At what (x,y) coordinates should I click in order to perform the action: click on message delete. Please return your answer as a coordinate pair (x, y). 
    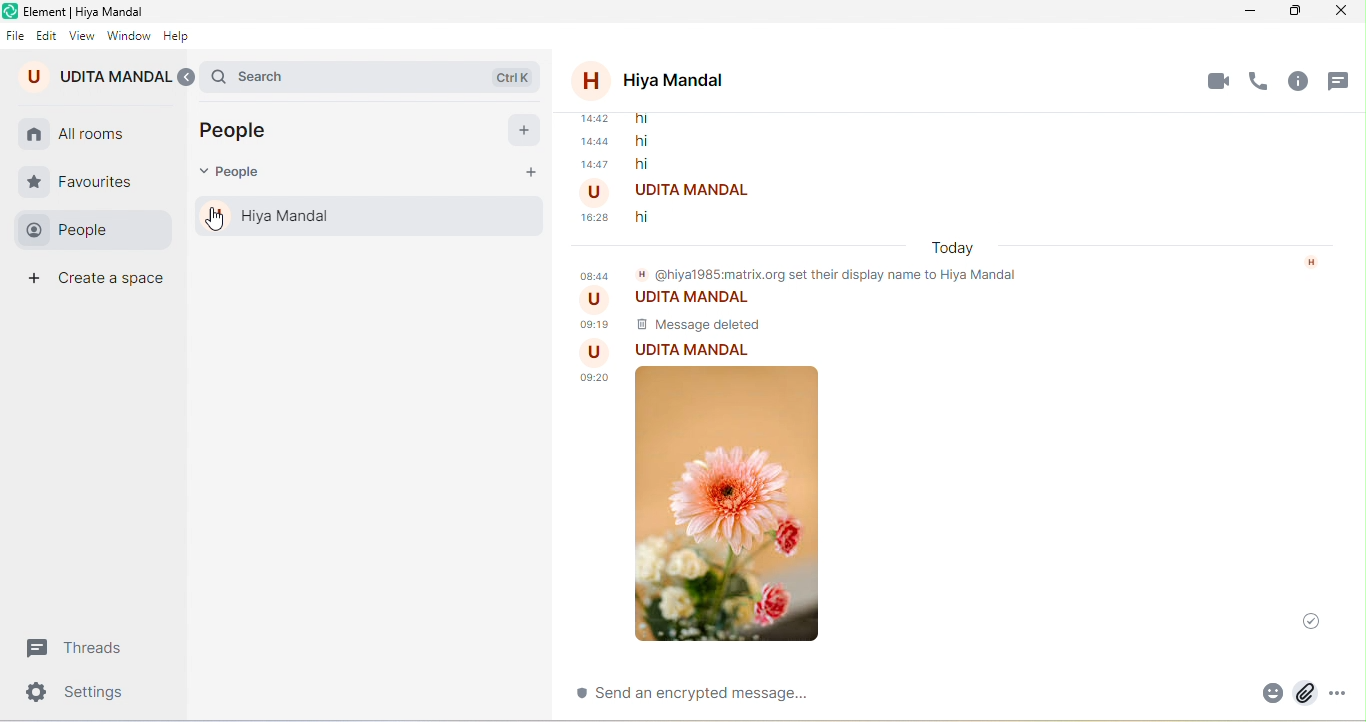
    Looking at the image, I should click on (698, 325).